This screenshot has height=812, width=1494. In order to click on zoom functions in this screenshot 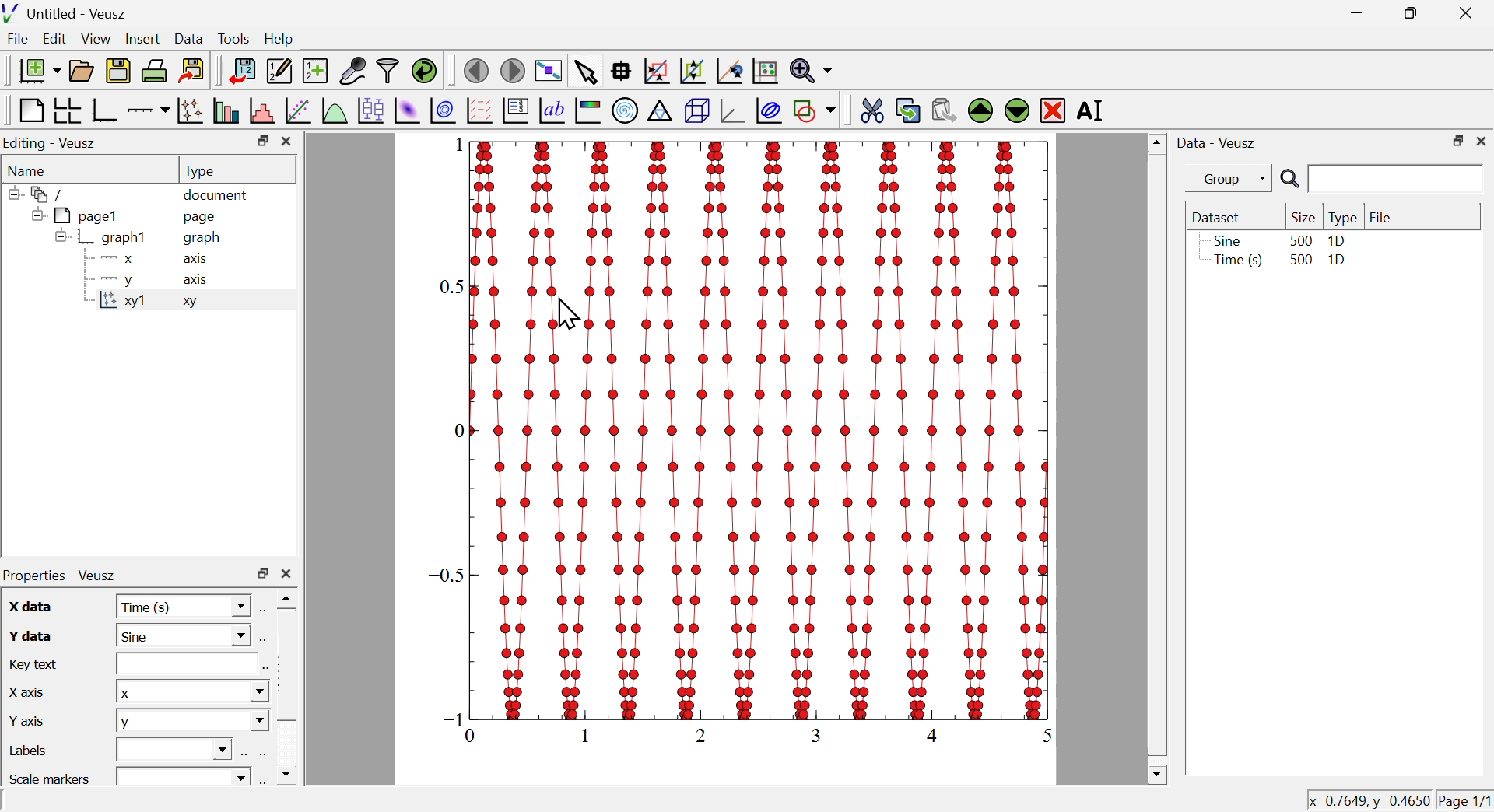, I will do `click(811, 71)`.